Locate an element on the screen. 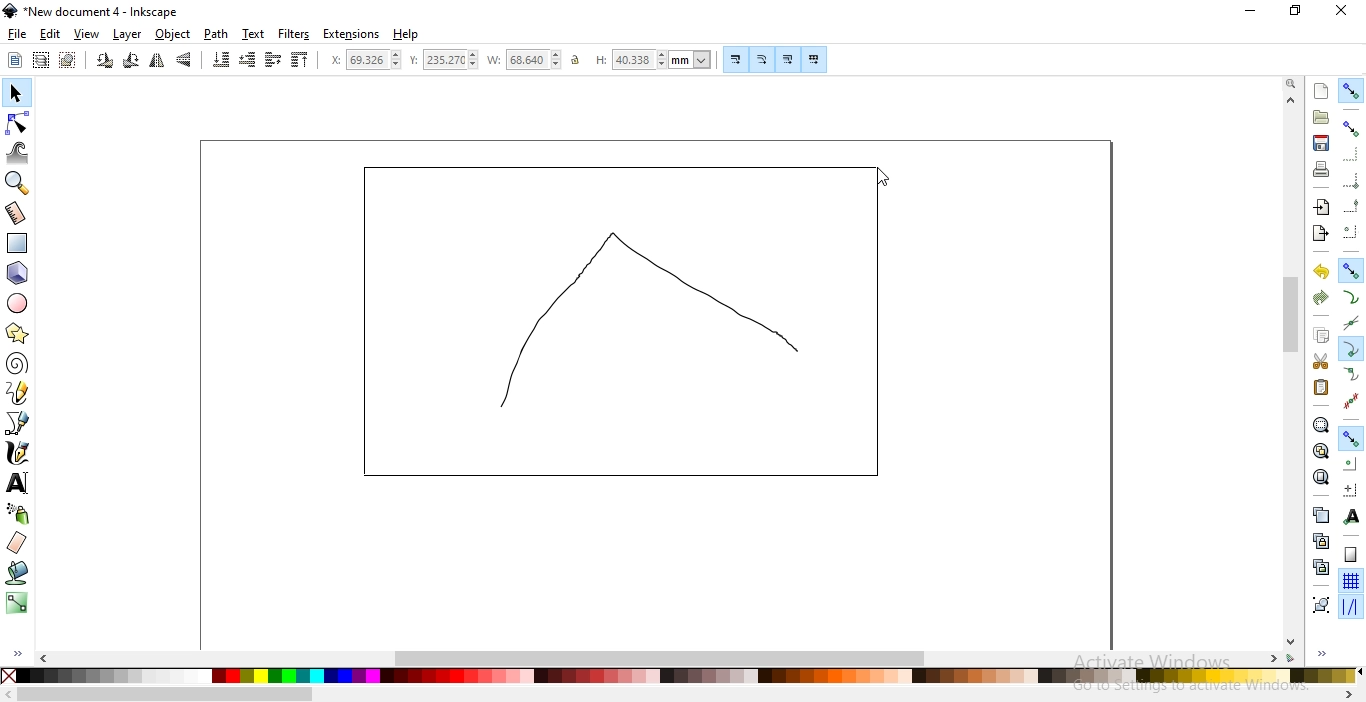  create rectangles and squares is located at coordinates (16, 243).